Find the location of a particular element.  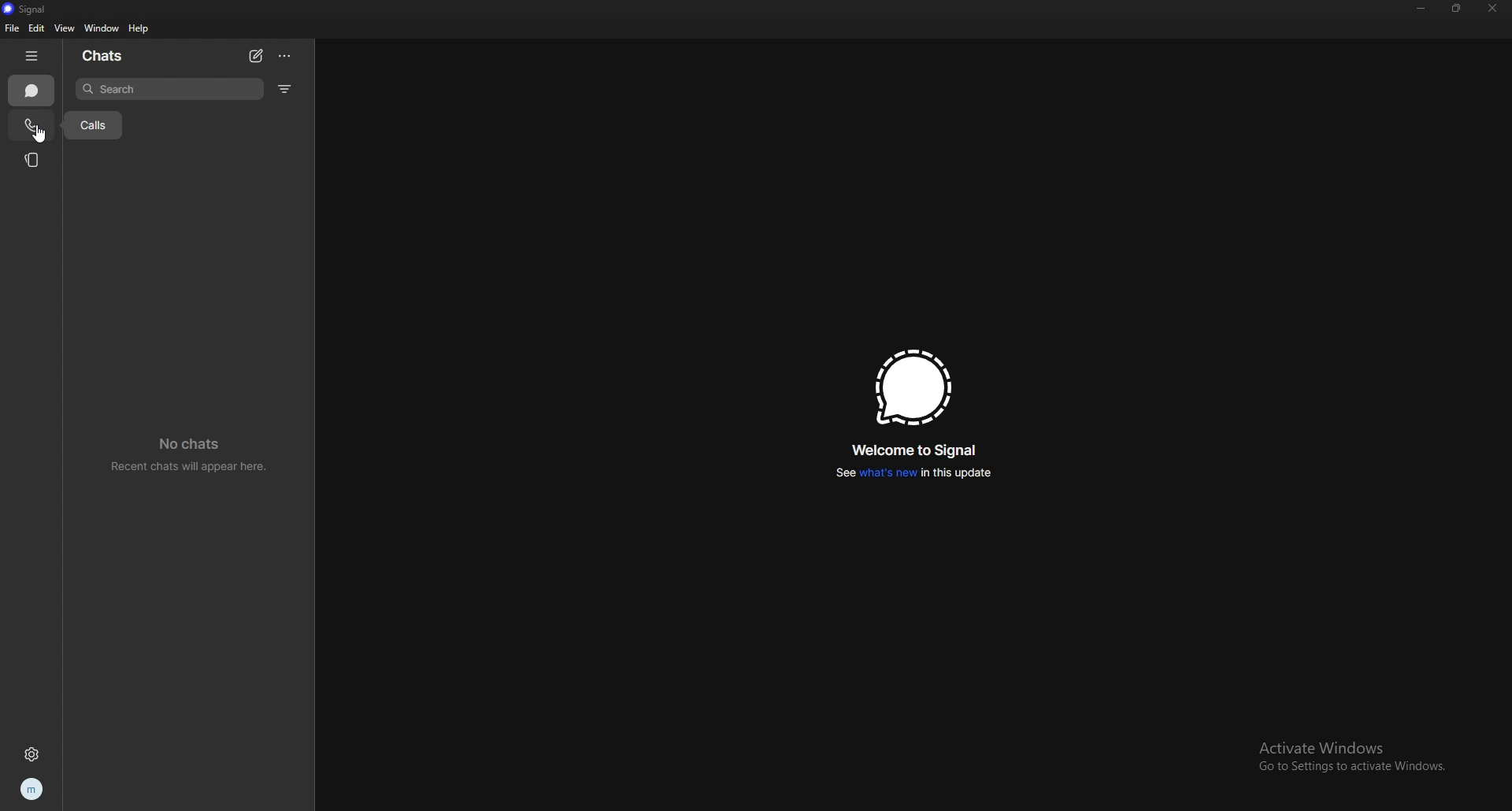

whats new is located at coordinates (913, 474).